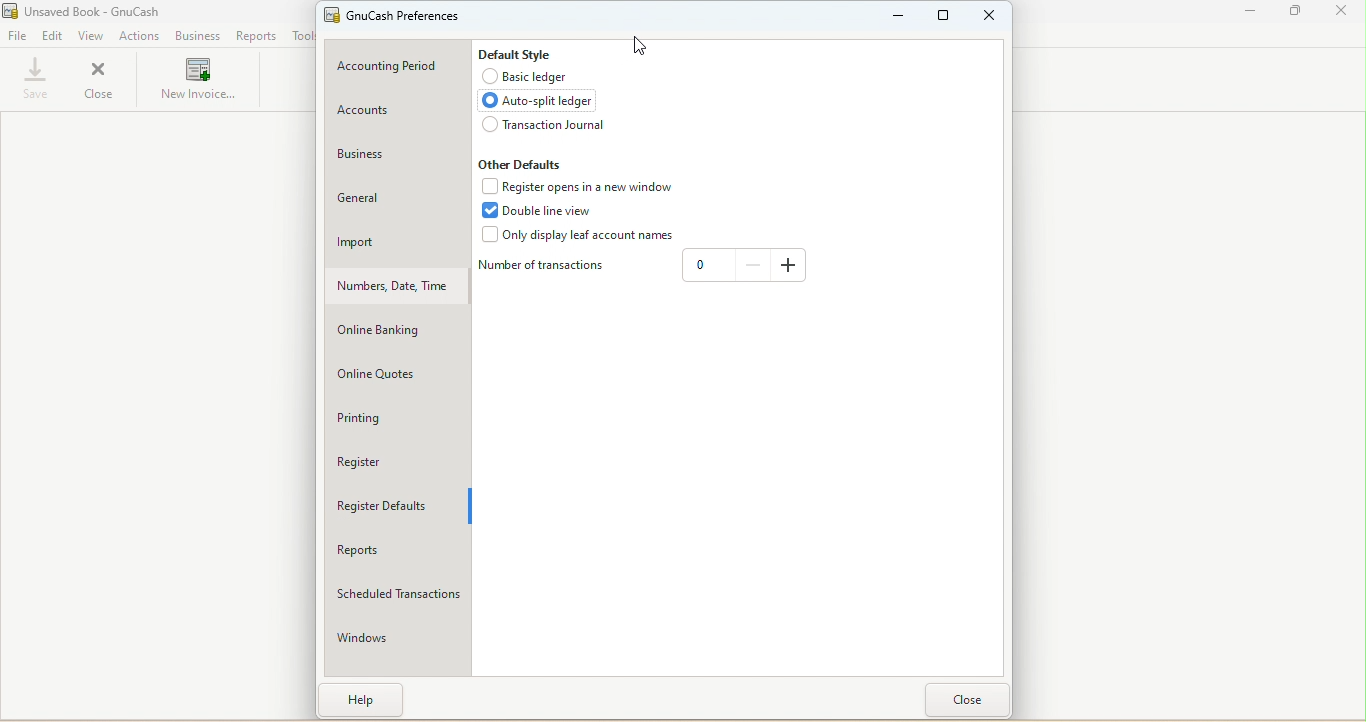  I want to click on Save, so click(34, 81).